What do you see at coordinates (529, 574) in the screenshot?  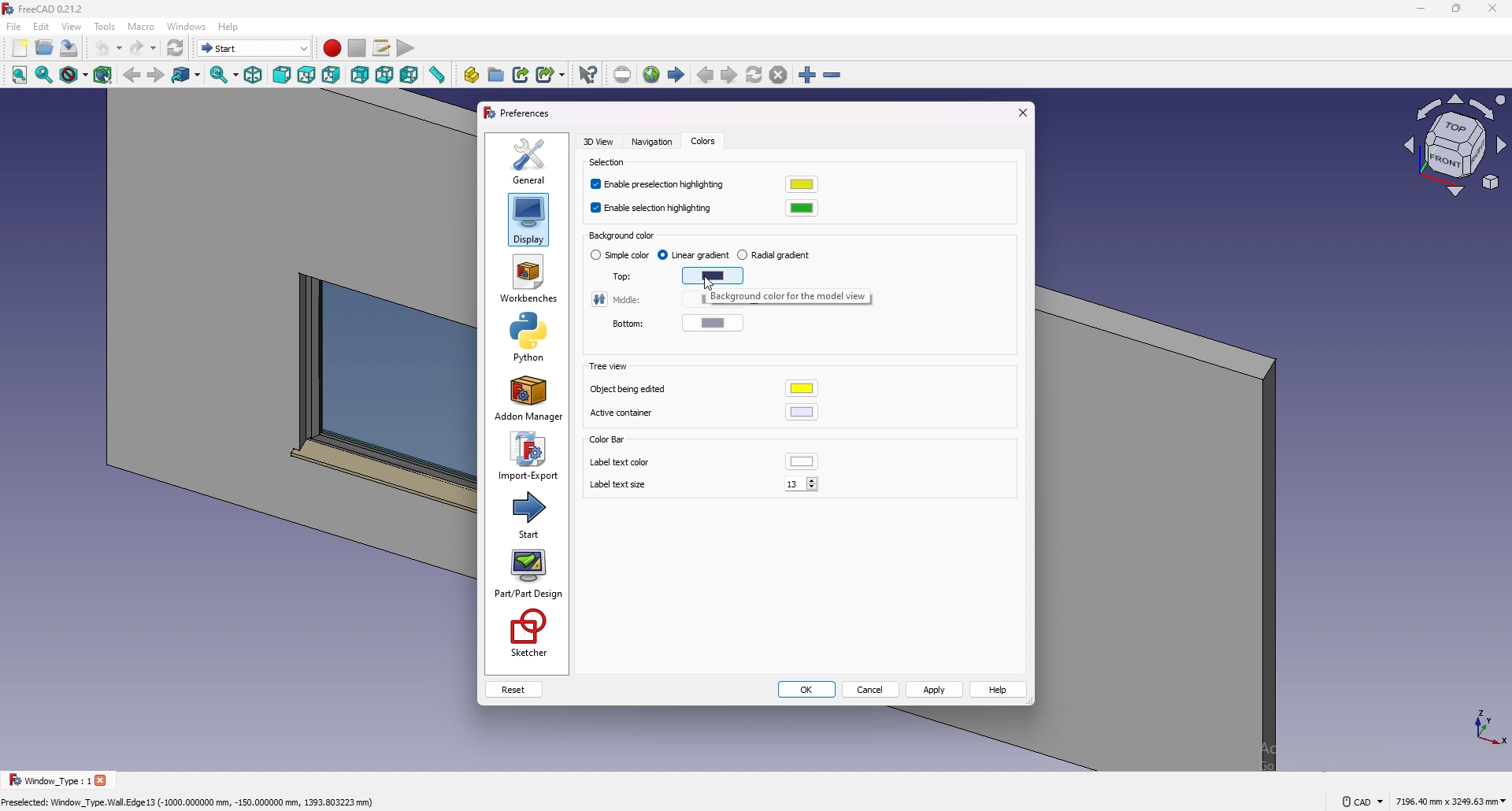 I see `part/part design` at bounding box center [529, 574].